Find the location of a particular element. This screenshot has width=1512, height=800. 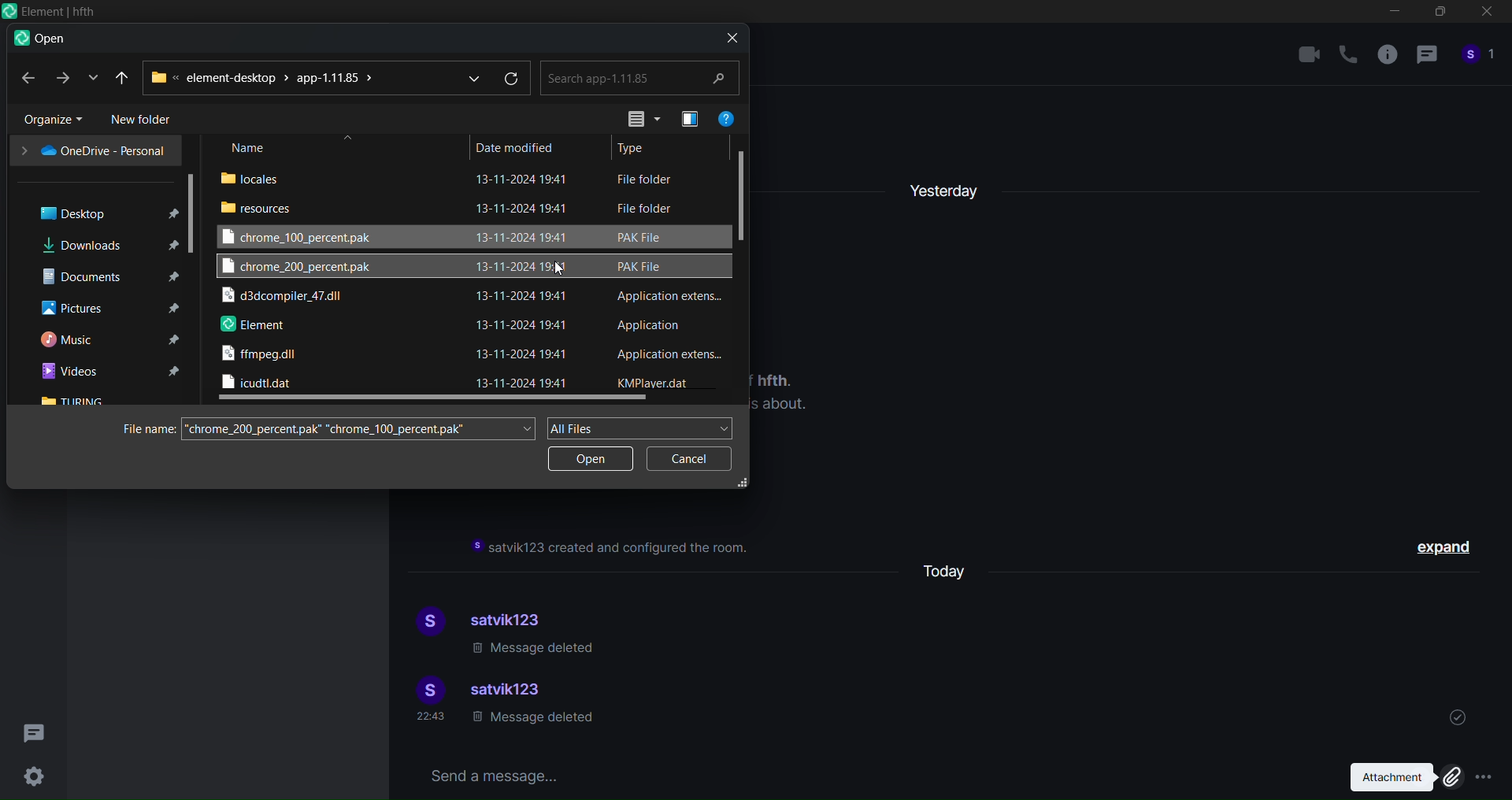

one drive is located at coordinates (92, 150).